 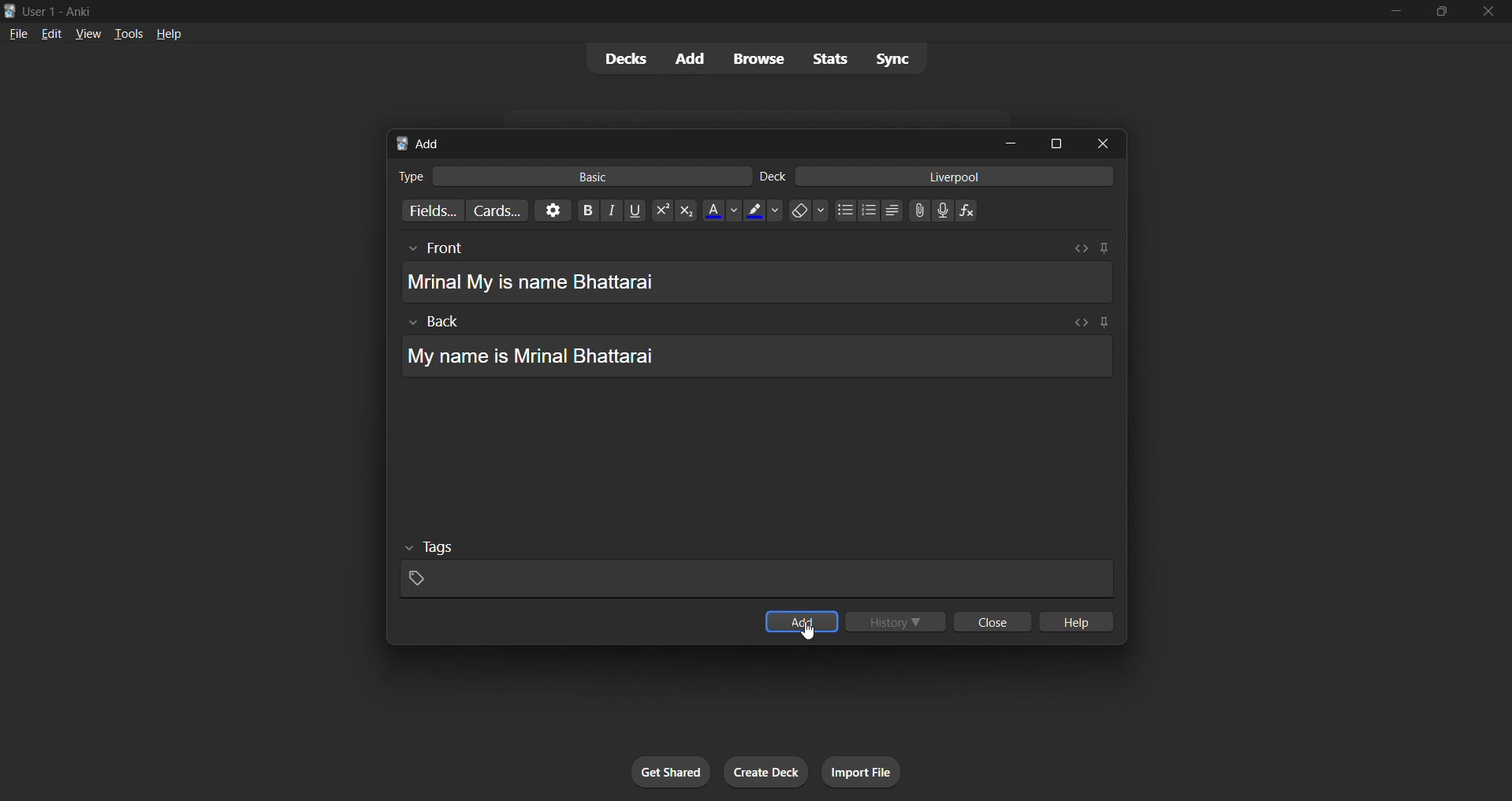 What do you see at coordinates (167, 33) in the screenshot?
I see `help` at bounding box center [167, 33].